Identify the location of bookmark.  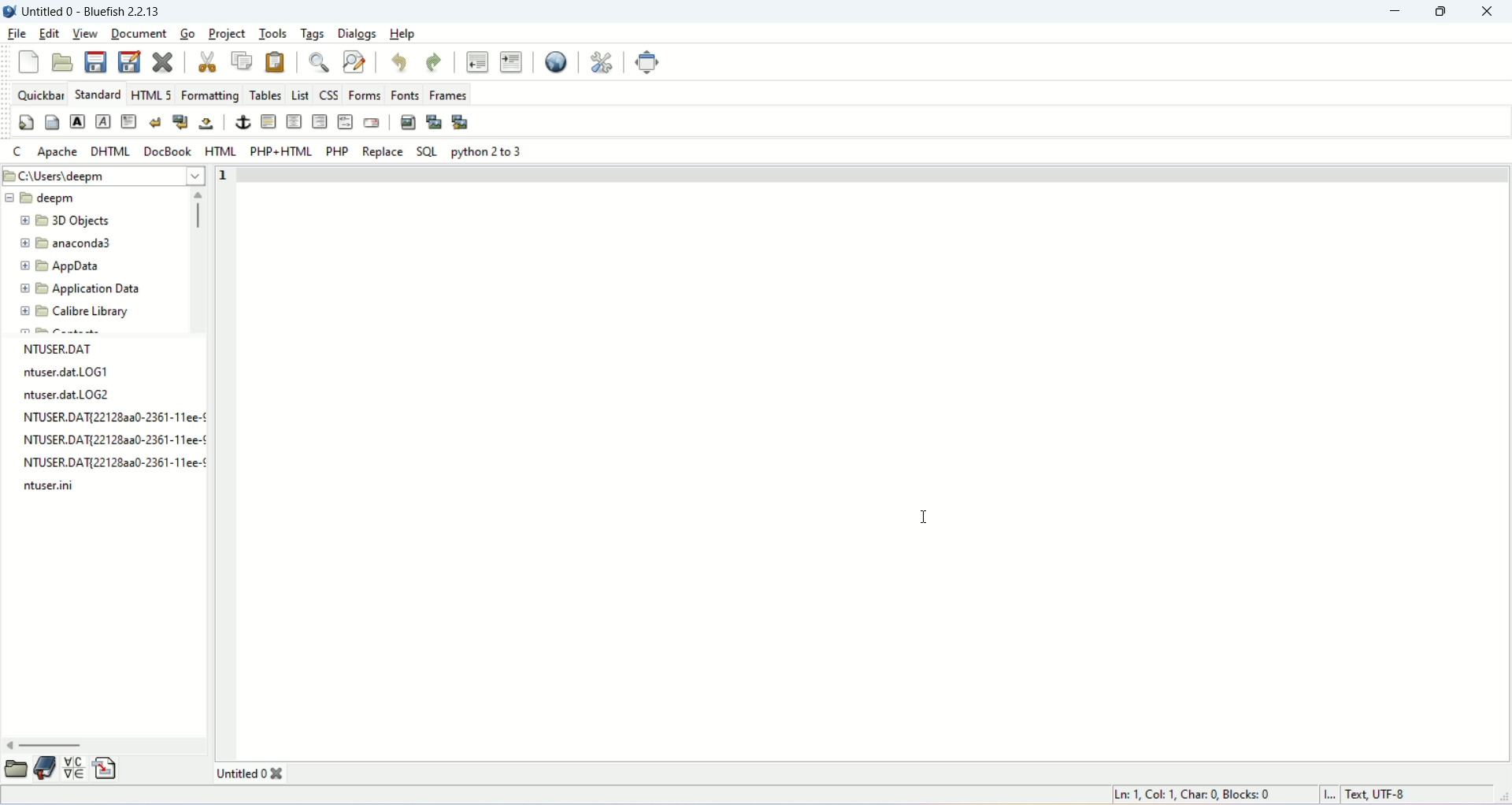
(44, 770).